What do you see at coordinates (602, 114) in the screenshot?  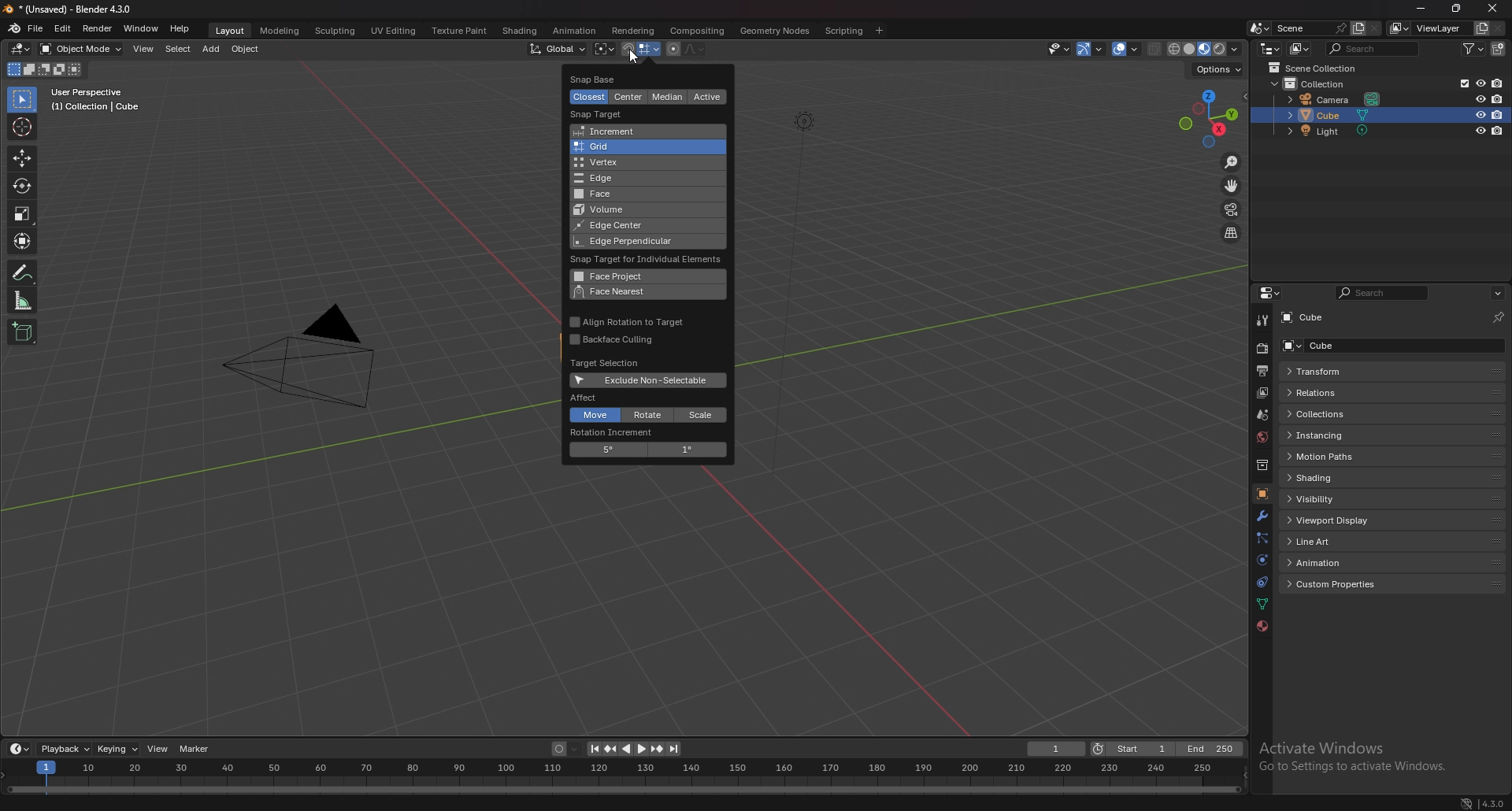 I see `snap target` at bounding box center [602, 114].